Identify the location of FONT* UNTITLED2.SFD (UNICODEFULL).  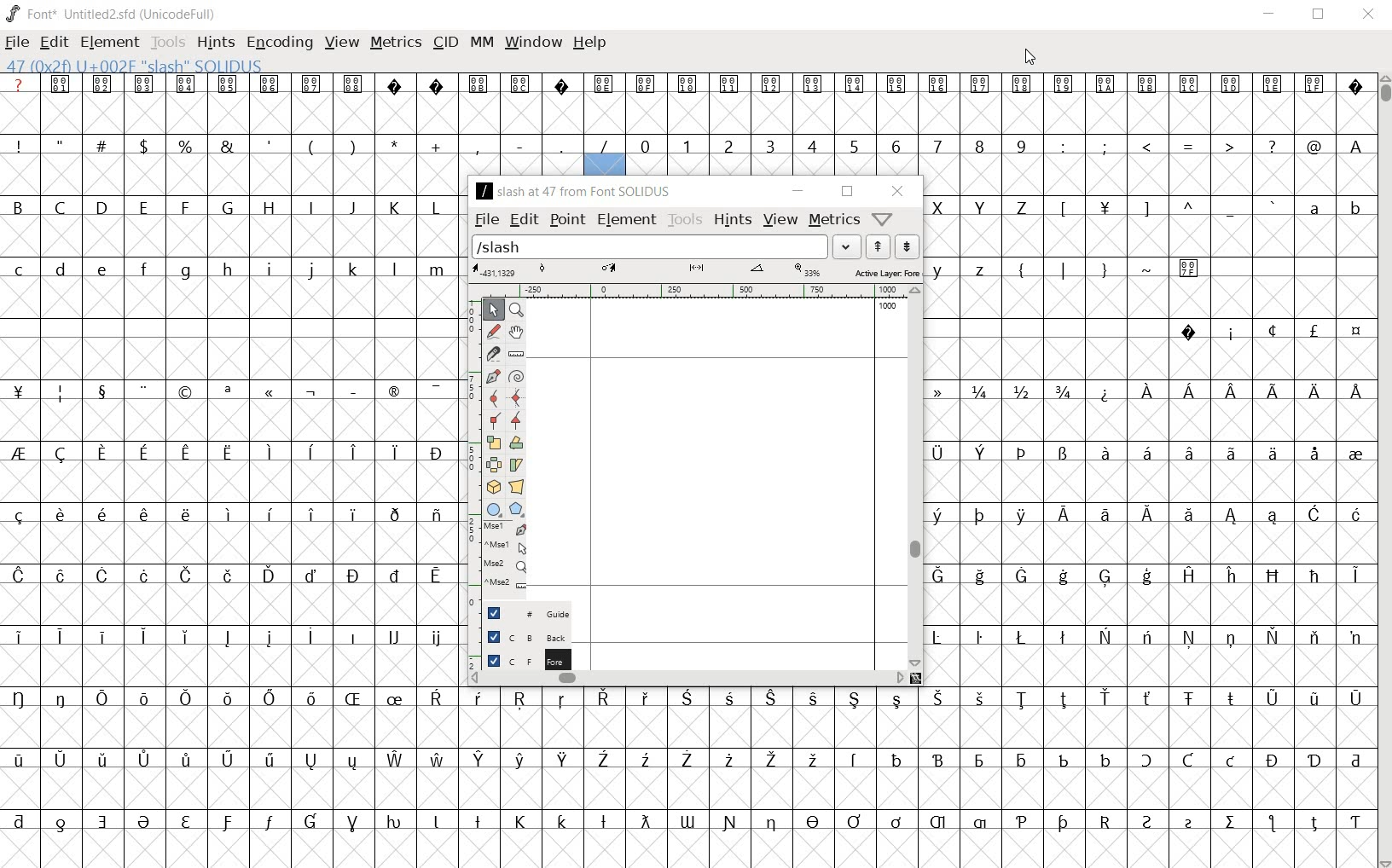
(111, 13).